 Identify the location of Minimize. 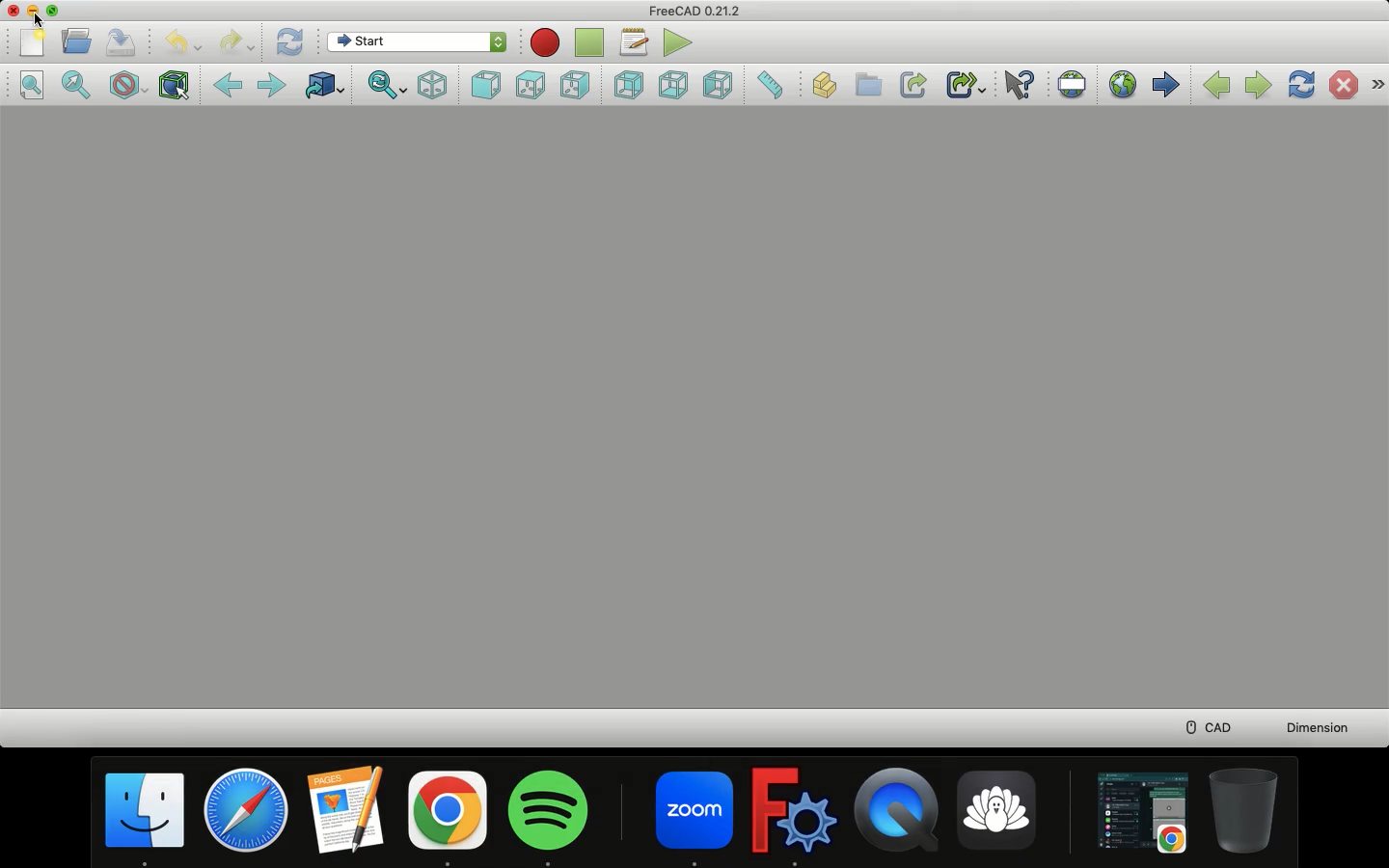
(34, 10).